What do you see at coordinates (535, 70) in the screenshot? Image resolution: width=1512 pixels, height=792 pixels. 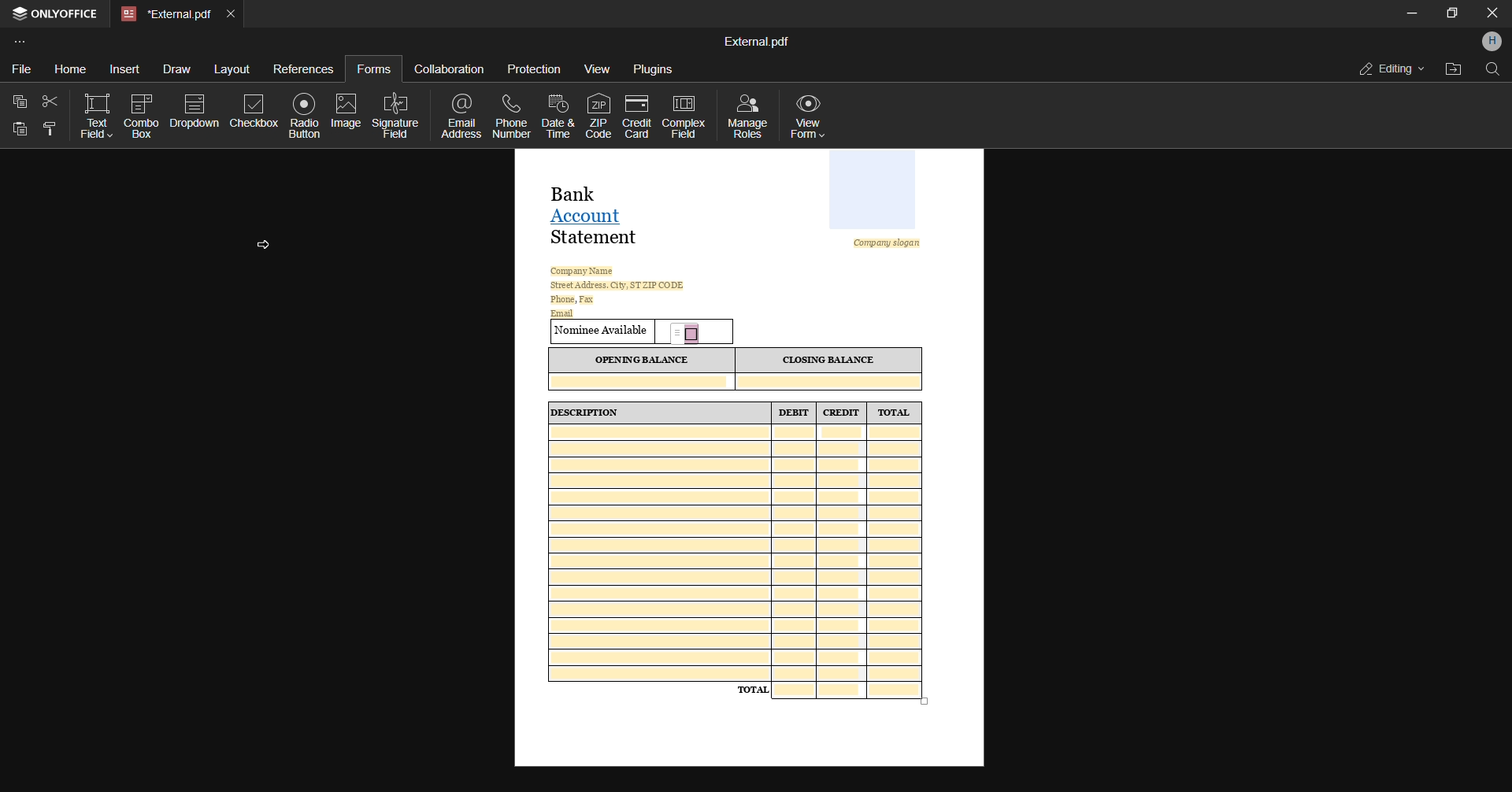 I see `protection` at bounding box center [535, 70].